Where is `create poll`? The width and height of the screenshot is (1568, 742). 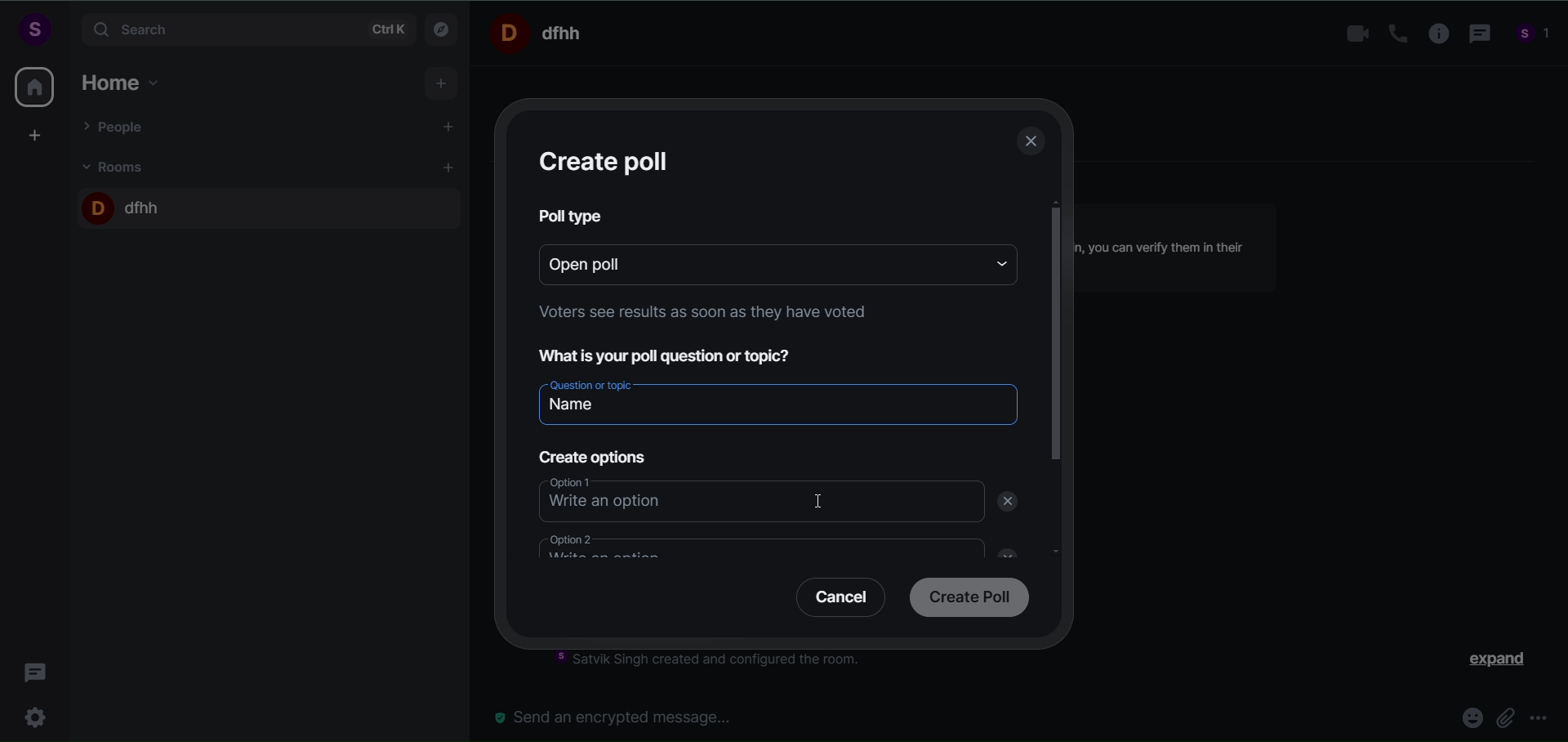
create poll is located at coordinates (608, 161).